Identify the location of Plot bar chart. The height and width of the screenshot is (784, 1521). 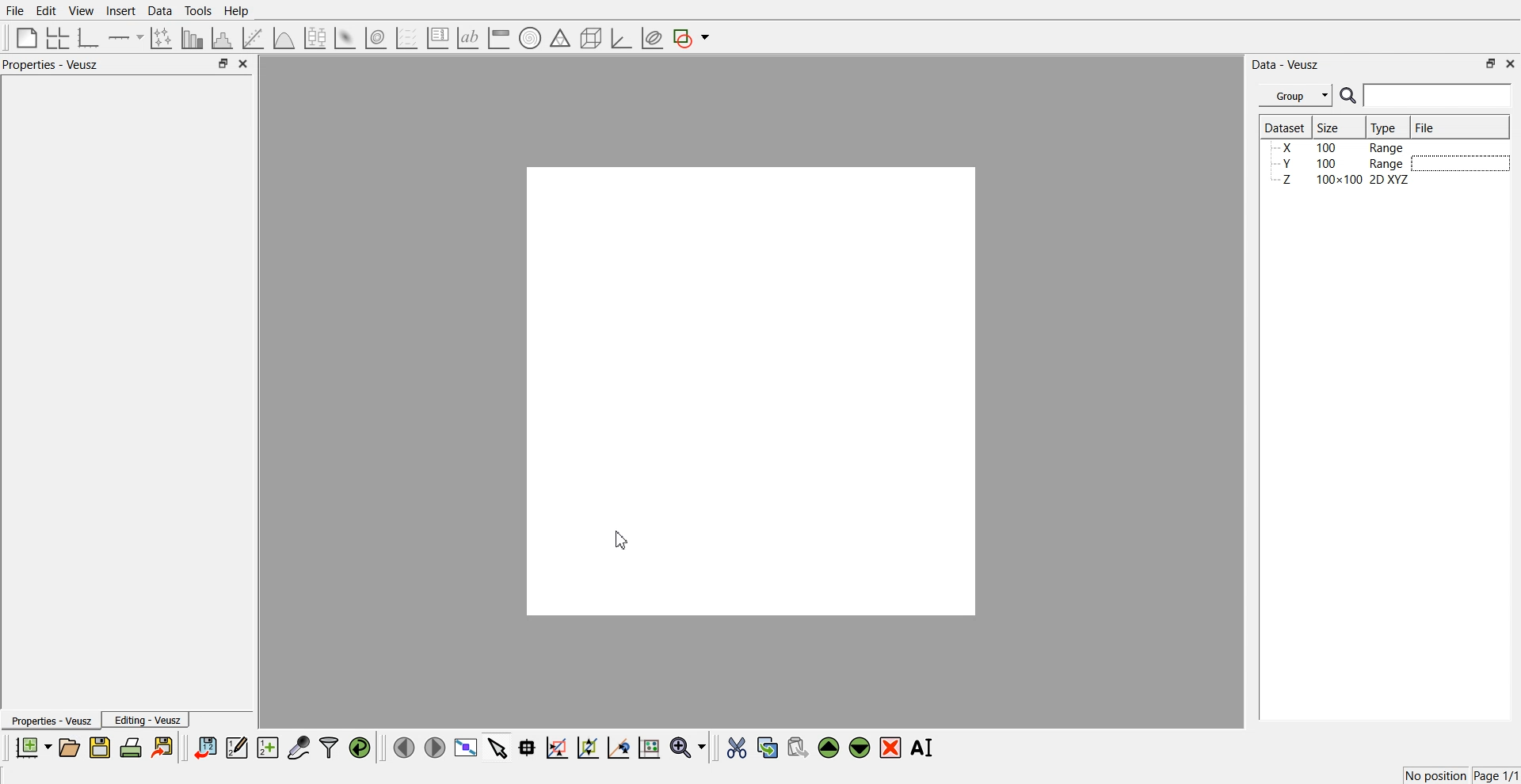
(192, 38).